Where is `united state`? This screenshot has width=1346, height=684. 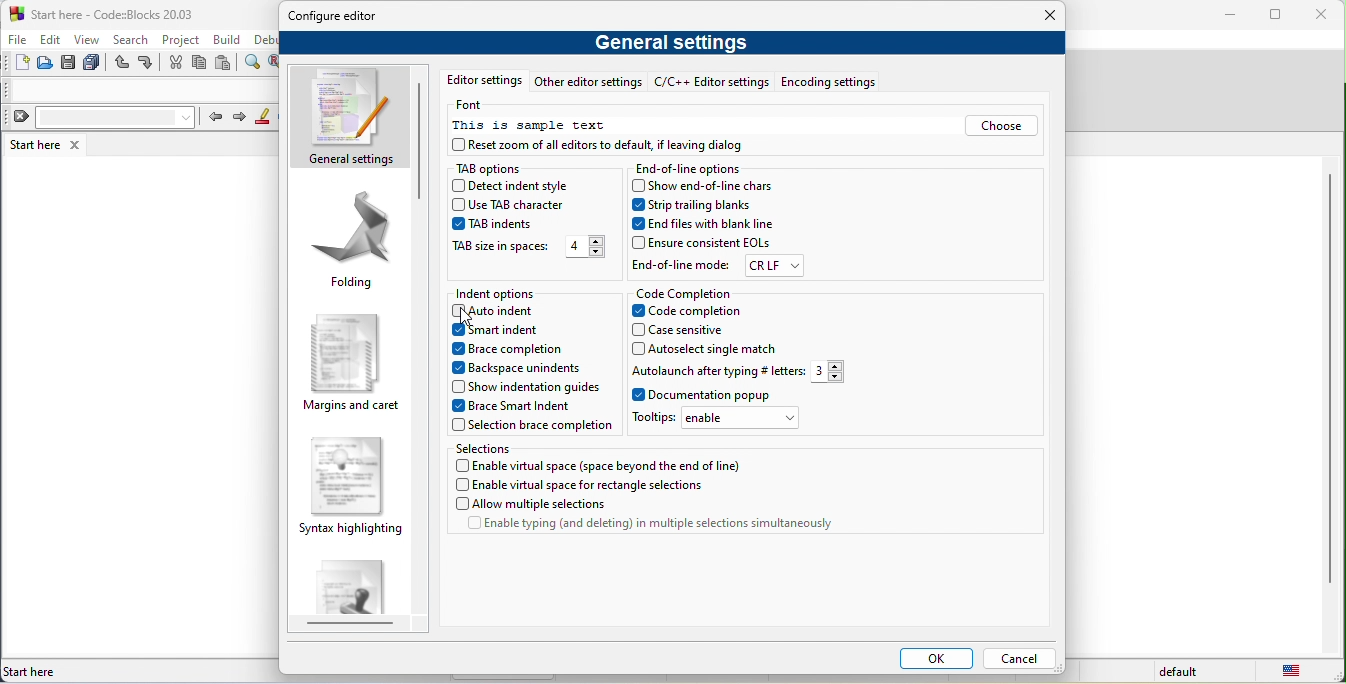
united state is located at coordinates (1290, 673).